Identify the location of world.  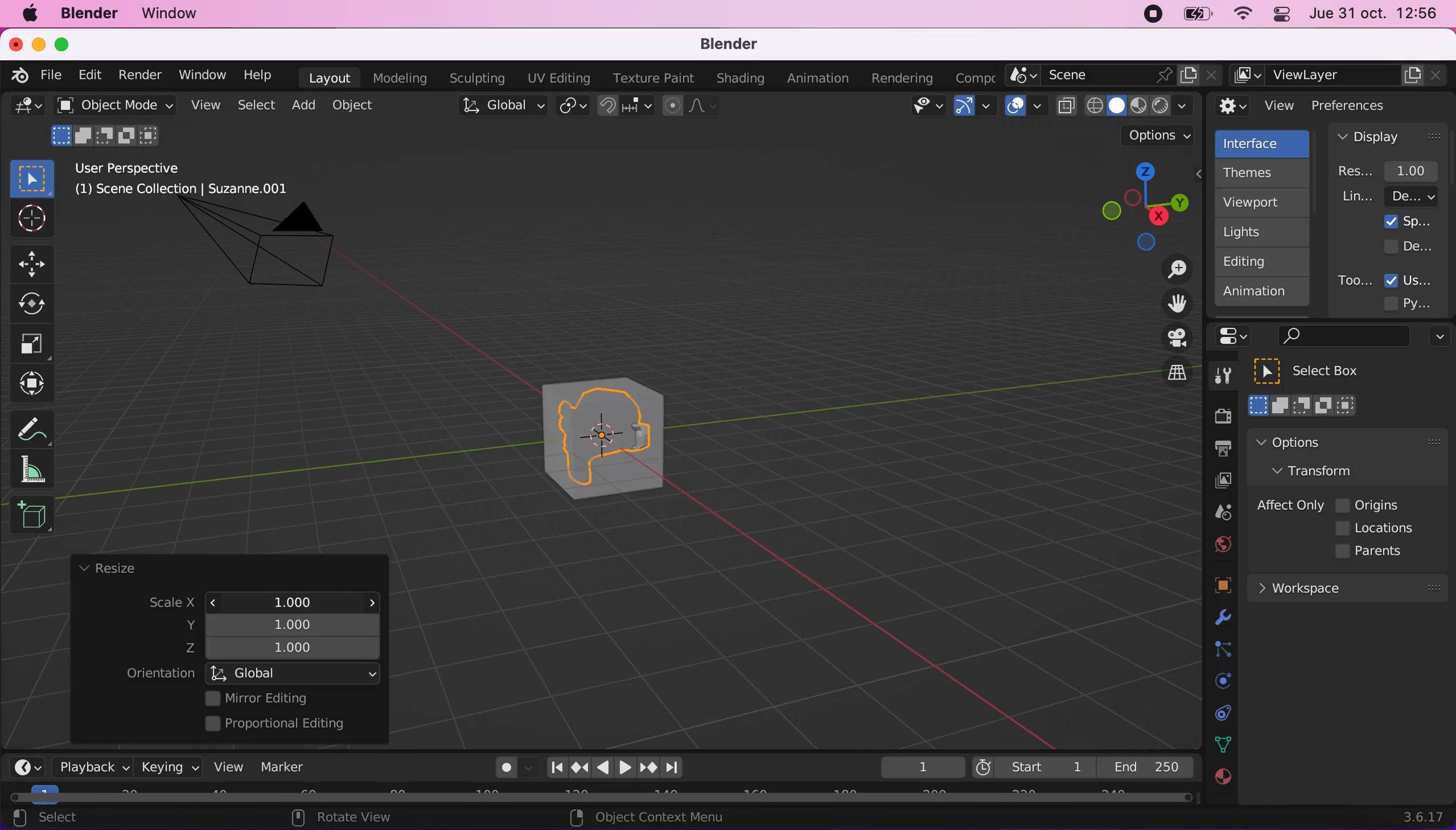
(1220, 543).